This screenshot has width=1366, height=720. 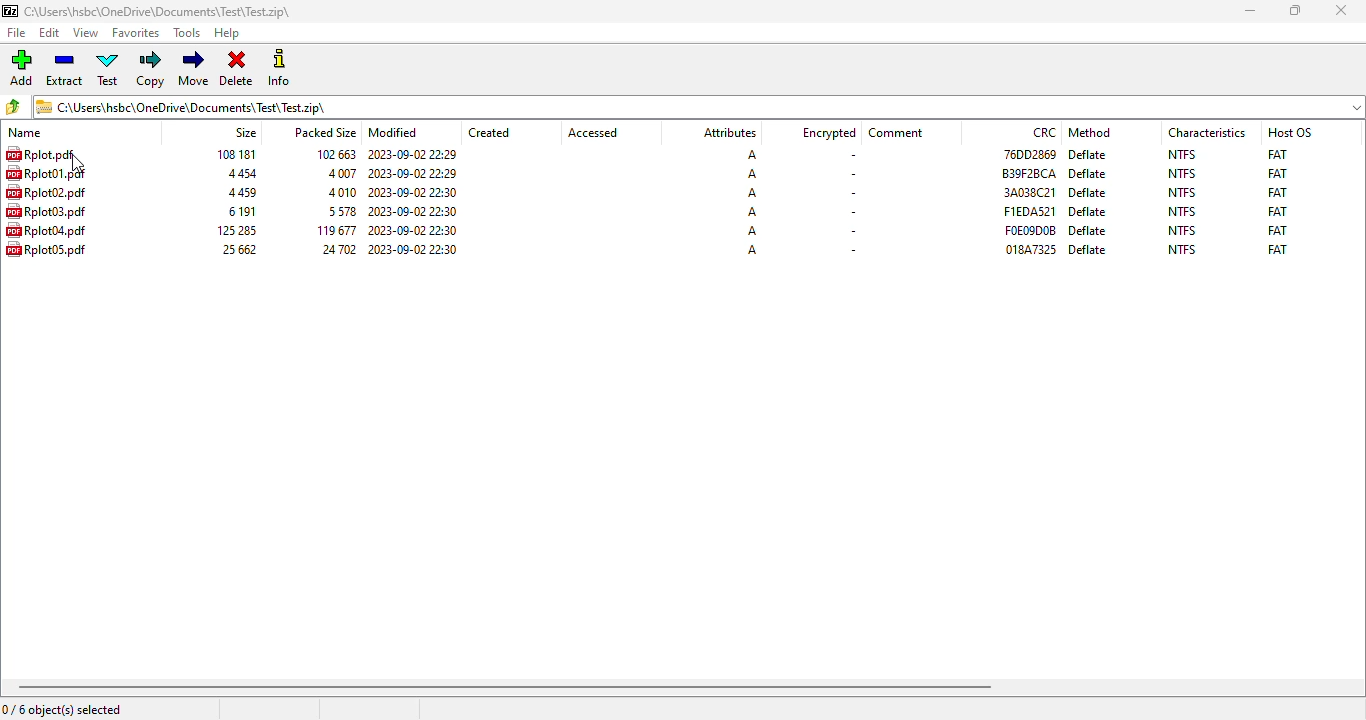 What do you see at coordinates (1249, 11) in the screenshot?
I see `minimize` at bounding box center [1249, 11].